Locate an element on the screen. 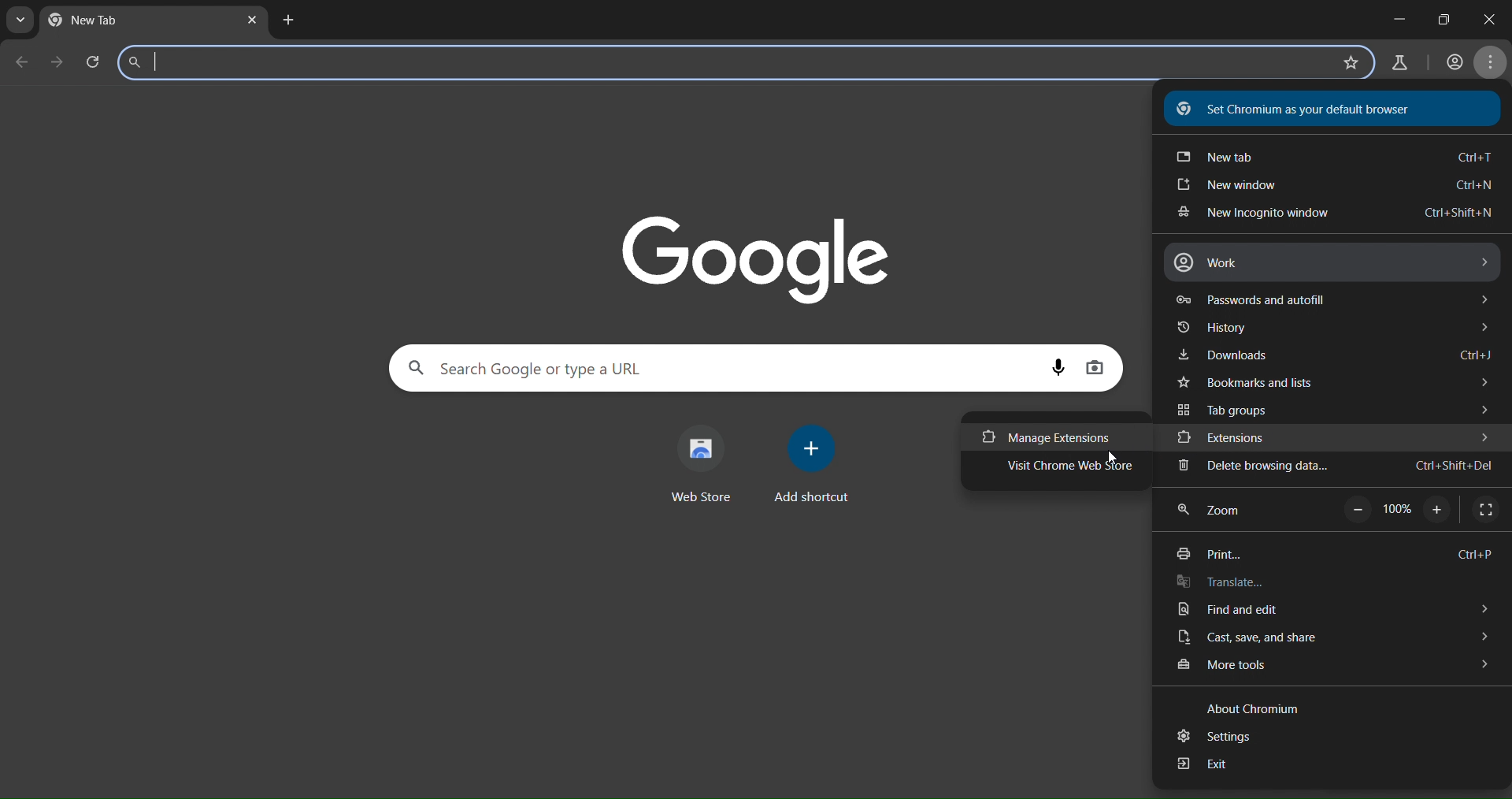  cast, save and share is located at coordinates (1336, 638).